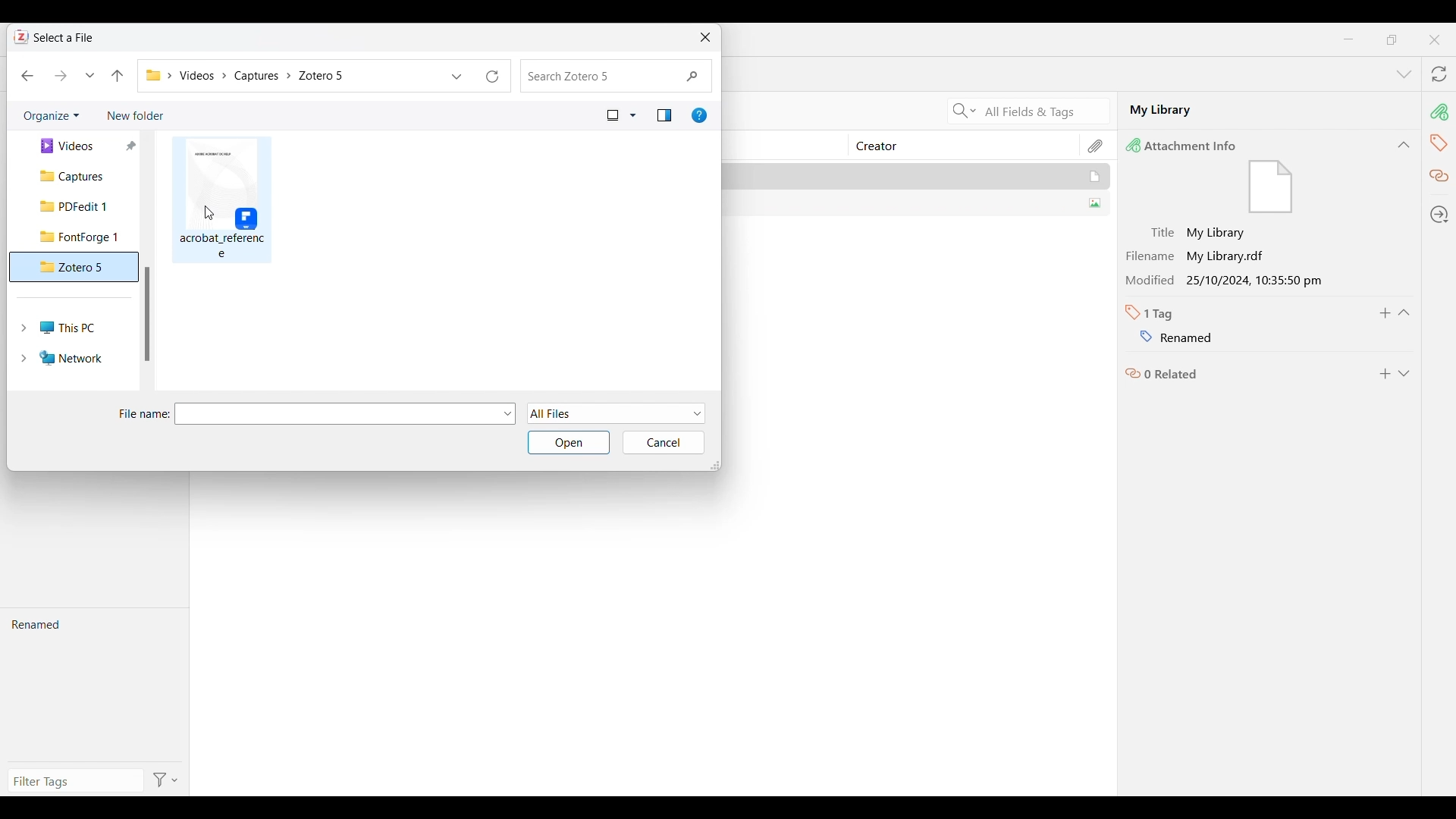  I want to click on PDFedit 1 folder, so click(80, 206).